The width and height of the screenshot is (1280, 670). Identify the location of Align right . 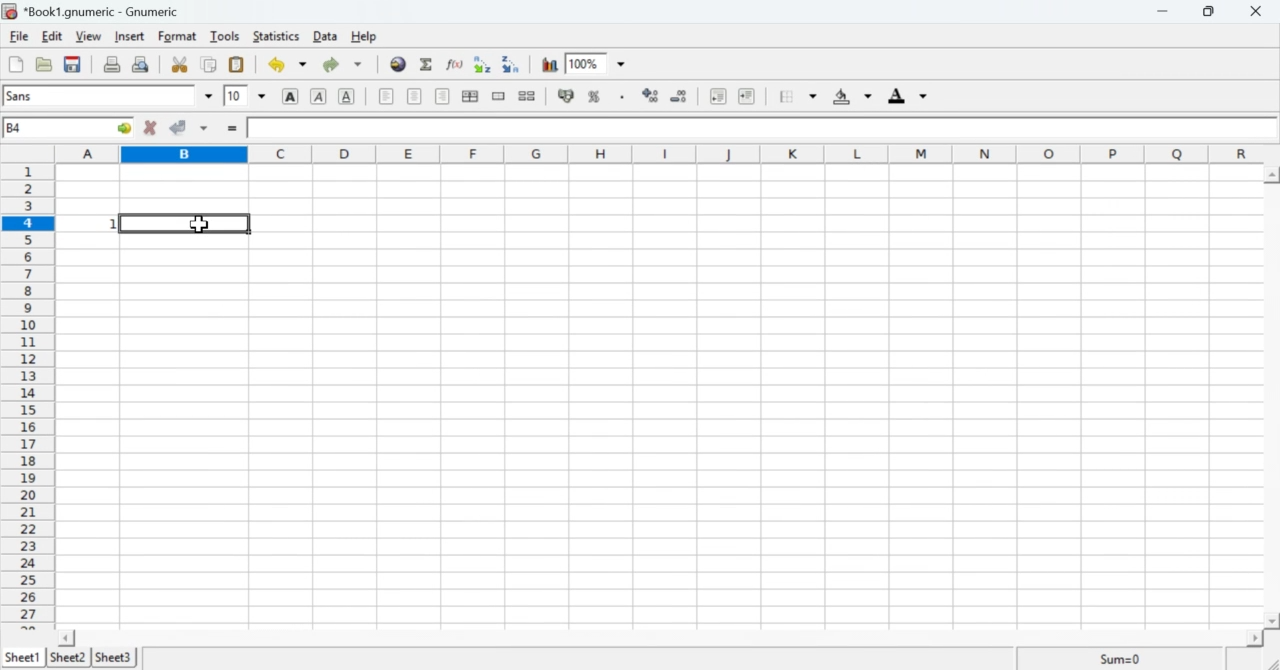
(442, 97).